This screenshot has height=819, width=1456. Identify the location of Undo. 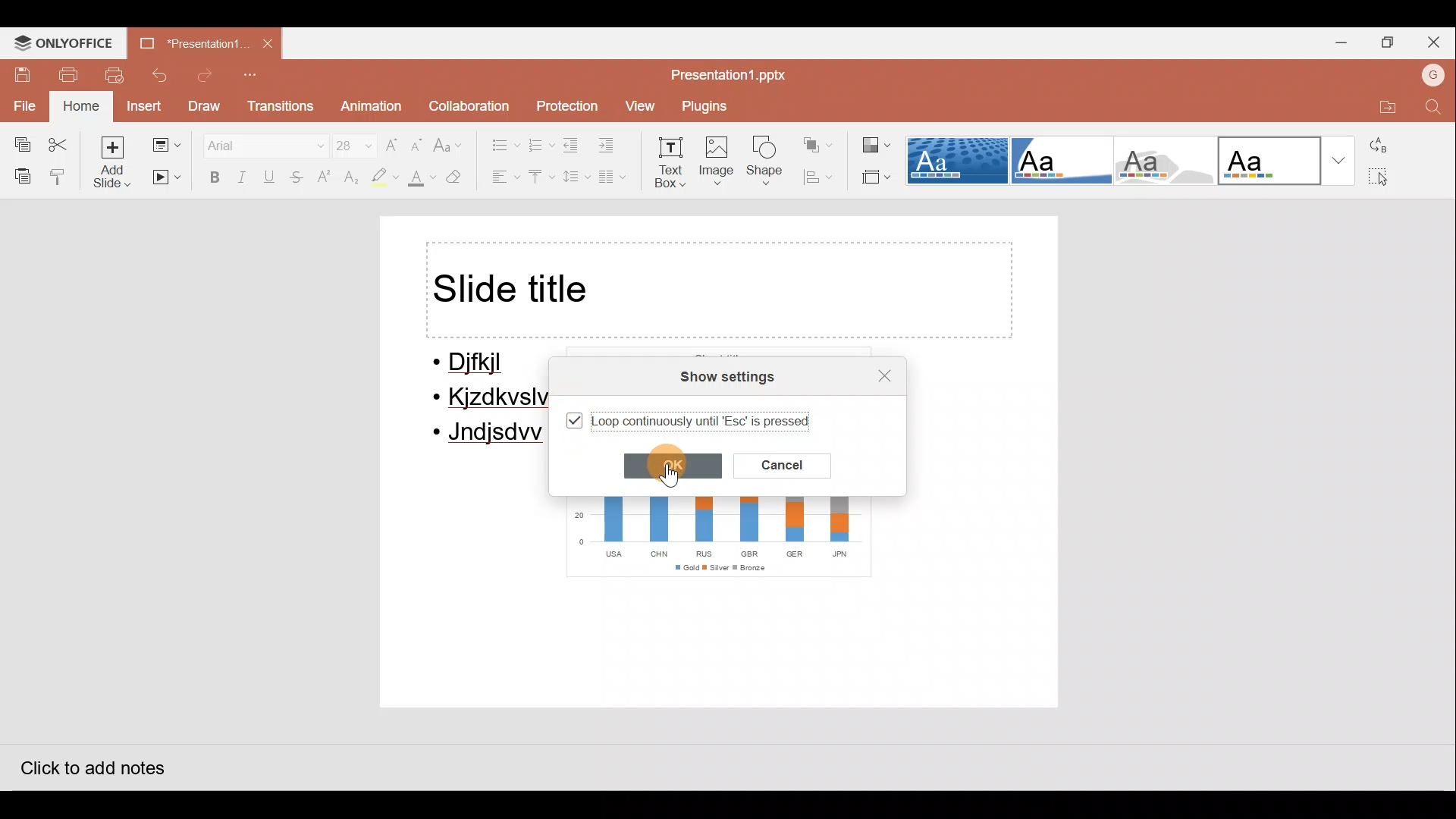
(159, 74).